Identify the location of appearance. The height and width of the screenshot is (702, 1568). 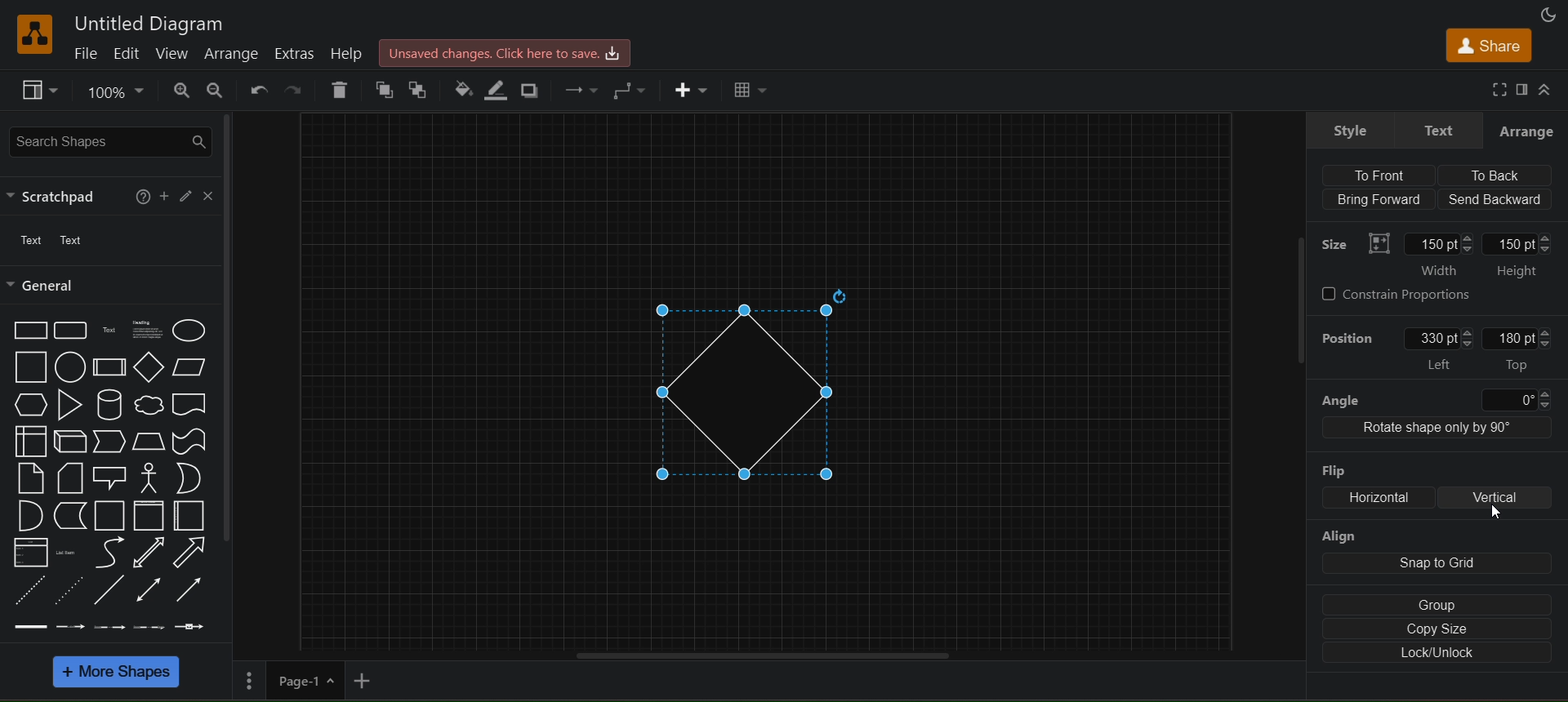
(1549, 15).